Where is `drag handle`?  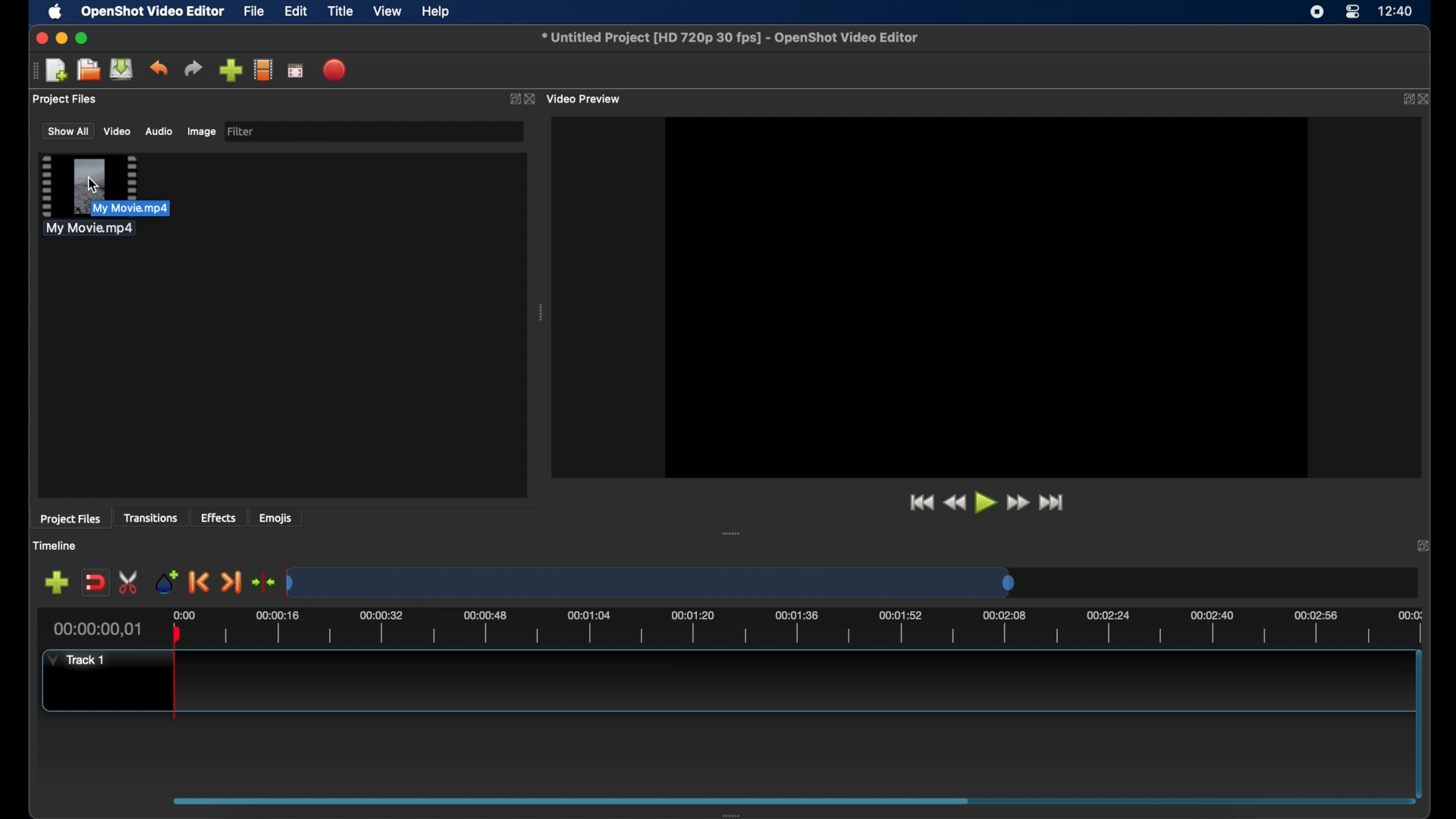
drag handle is located at coordinates (541, 314).